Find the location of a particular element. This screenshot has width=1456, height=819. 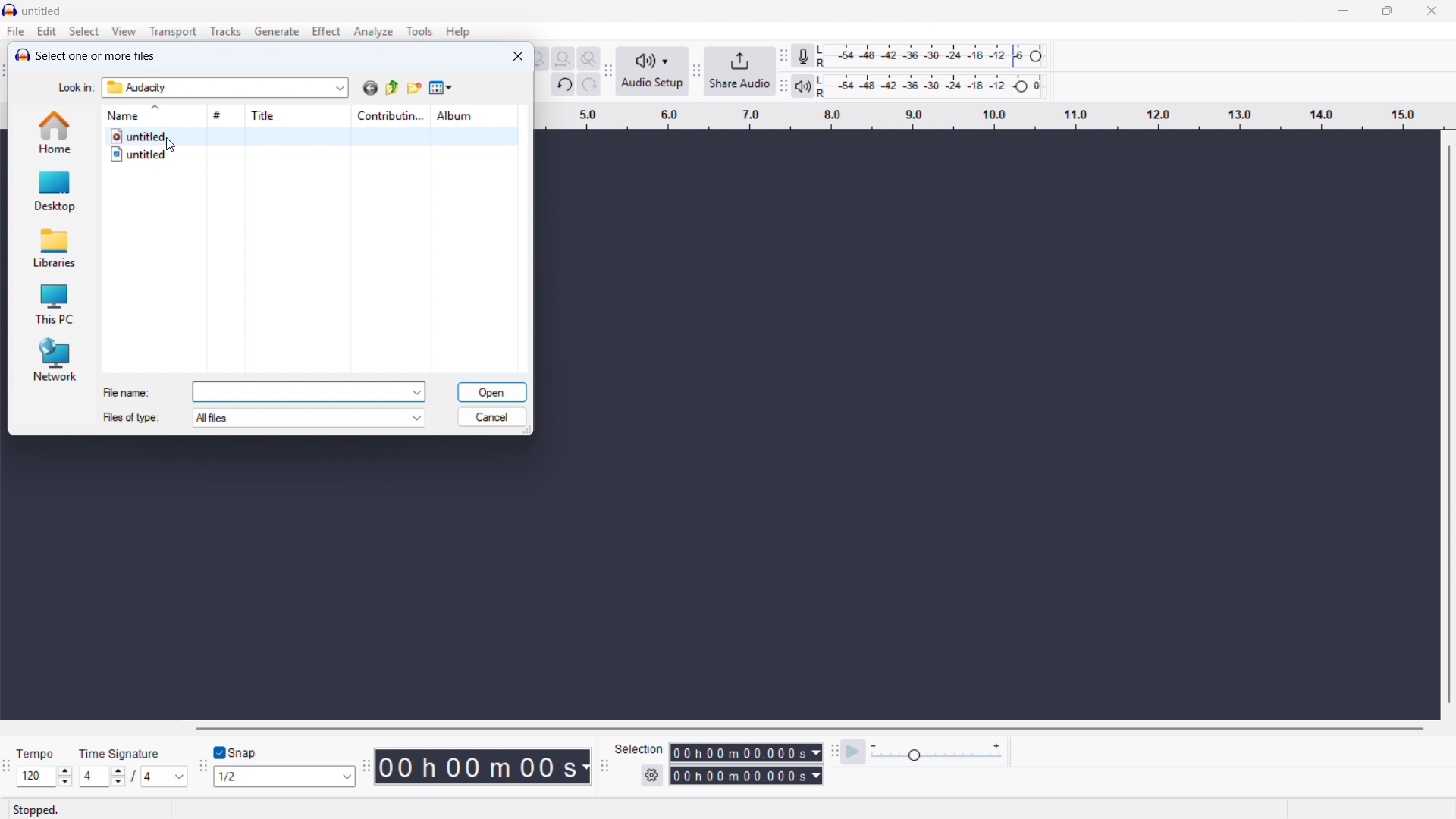

Play at speed  is located at coordinates (854, 751).